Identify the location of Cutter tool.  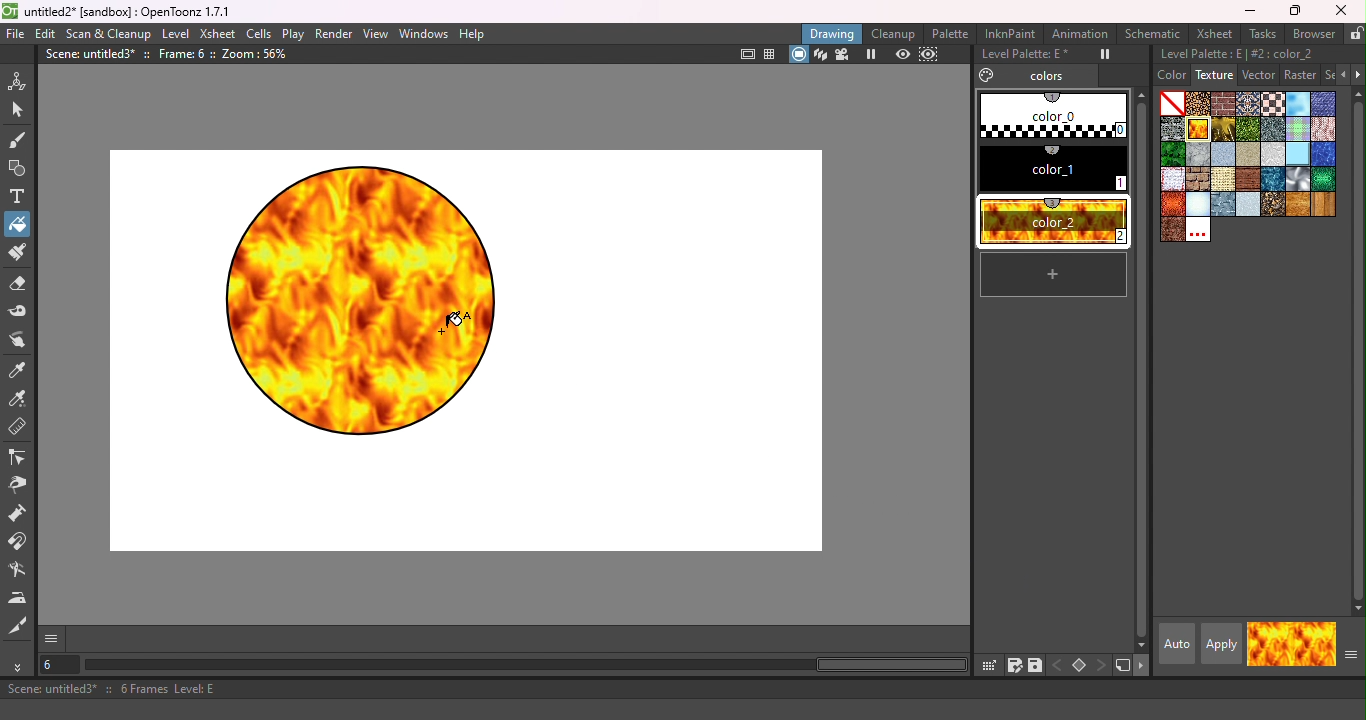
(18, 627).